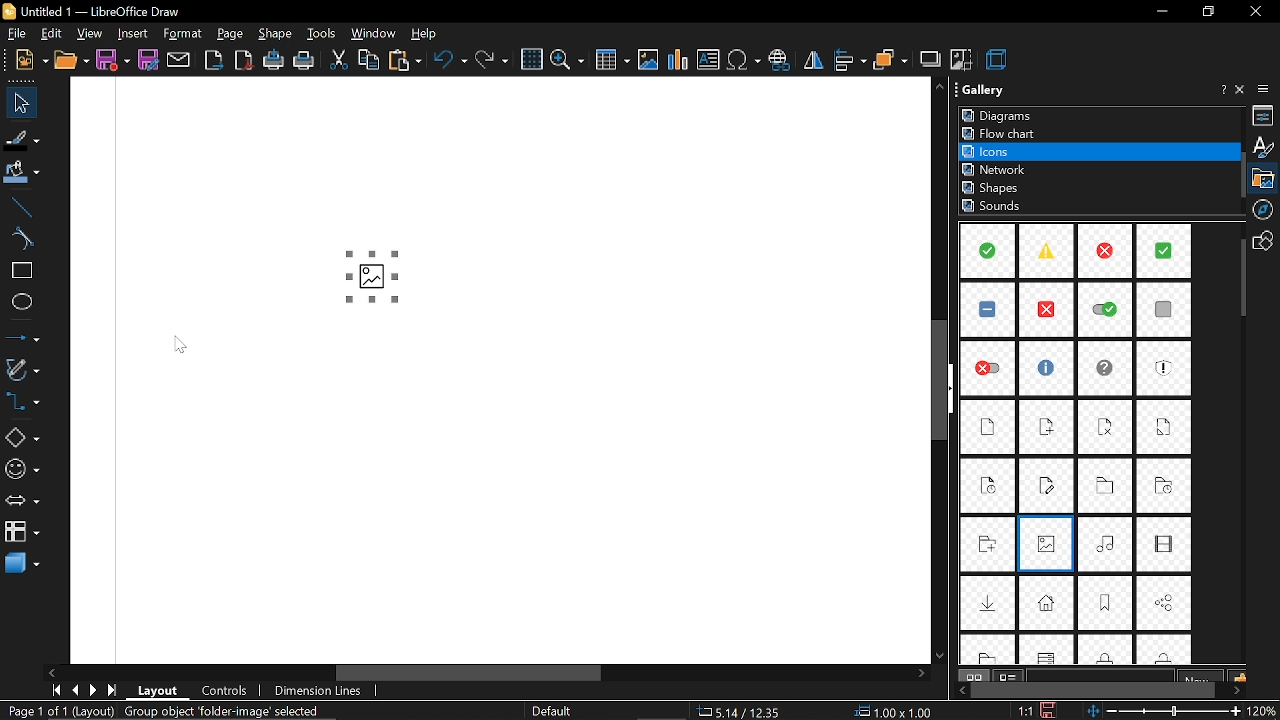 The width and height of the screenshot is (1280, 720). I want to click on minimize, so click(1164, 11).